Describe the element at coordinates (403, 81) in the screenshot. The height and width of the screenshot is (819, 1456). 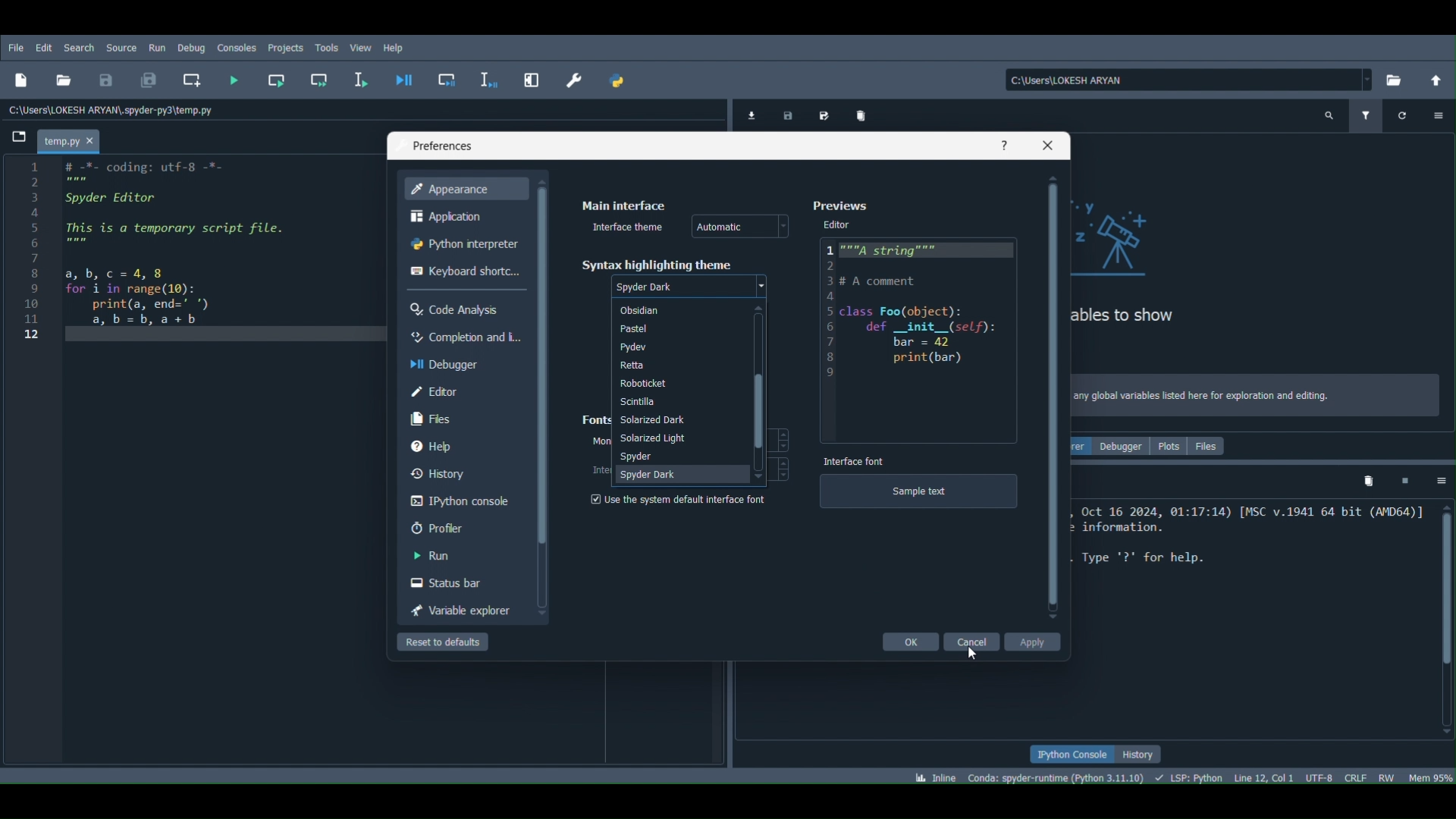
I see `Debug file (Ctrl + F5)` at that location.